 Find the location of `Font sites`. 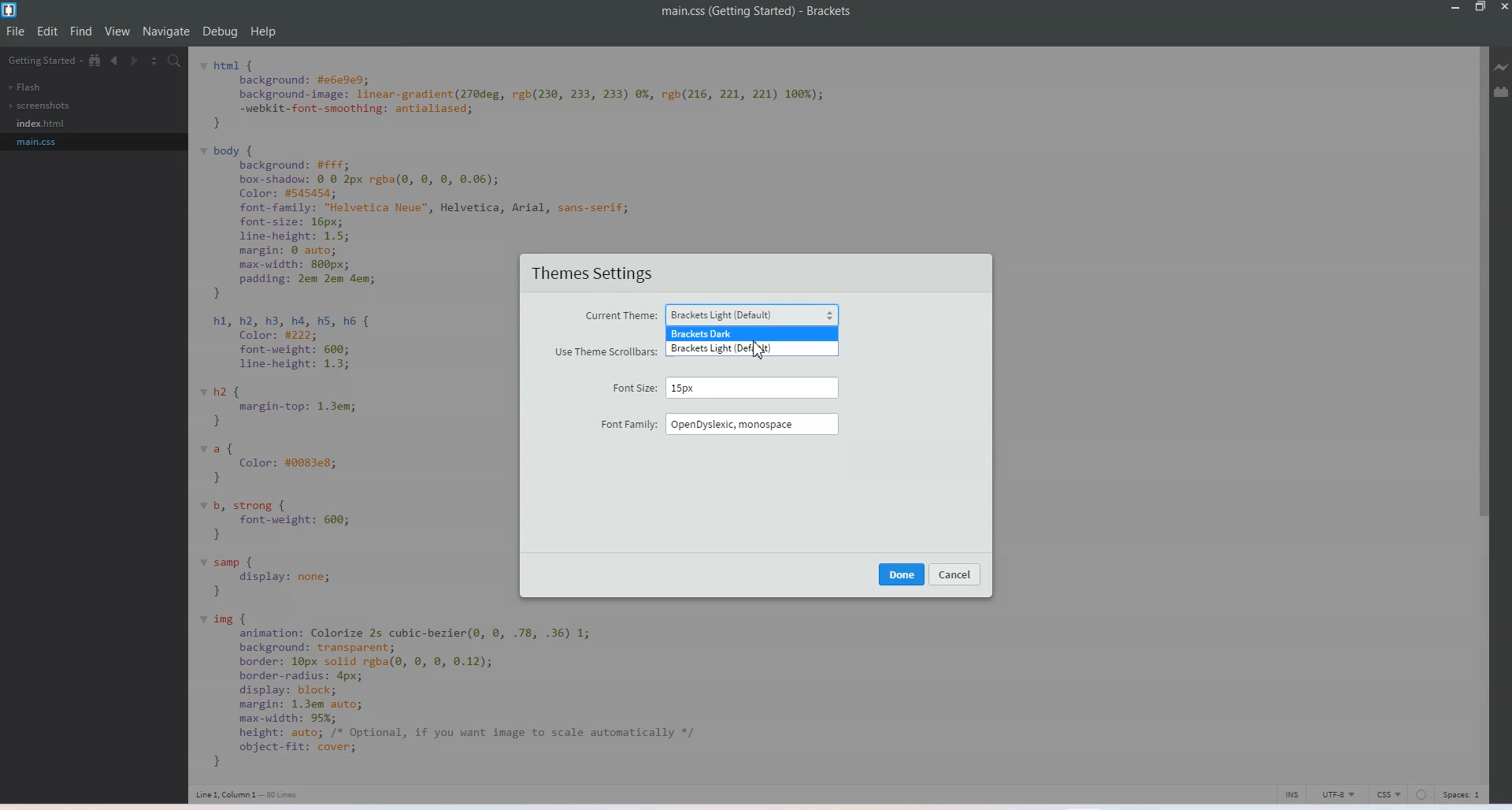

Font sites is located at coordinates (721, 388).